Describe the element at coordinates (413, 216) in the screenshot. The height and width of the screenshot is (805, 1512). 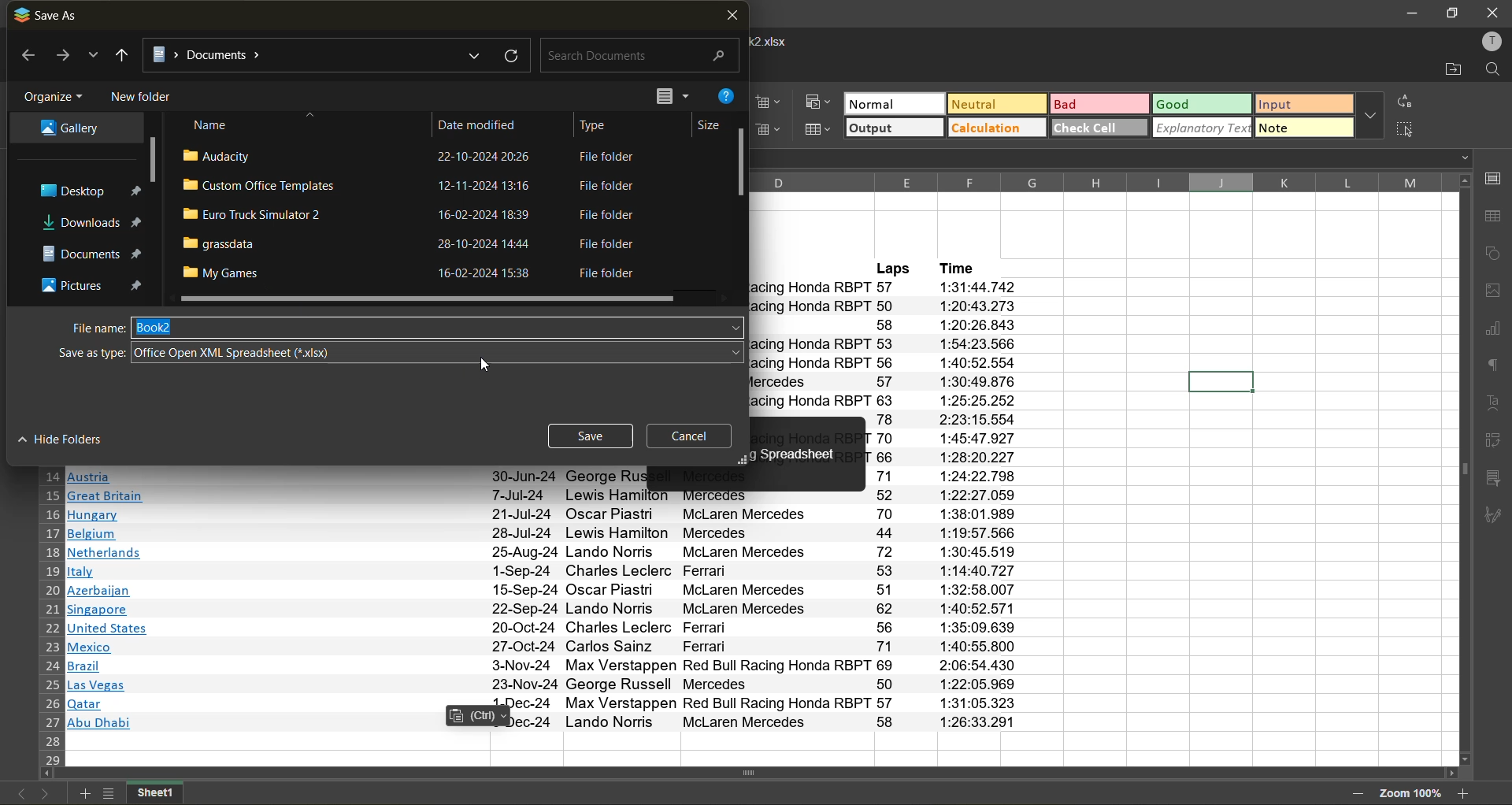
I see `file` at that location.